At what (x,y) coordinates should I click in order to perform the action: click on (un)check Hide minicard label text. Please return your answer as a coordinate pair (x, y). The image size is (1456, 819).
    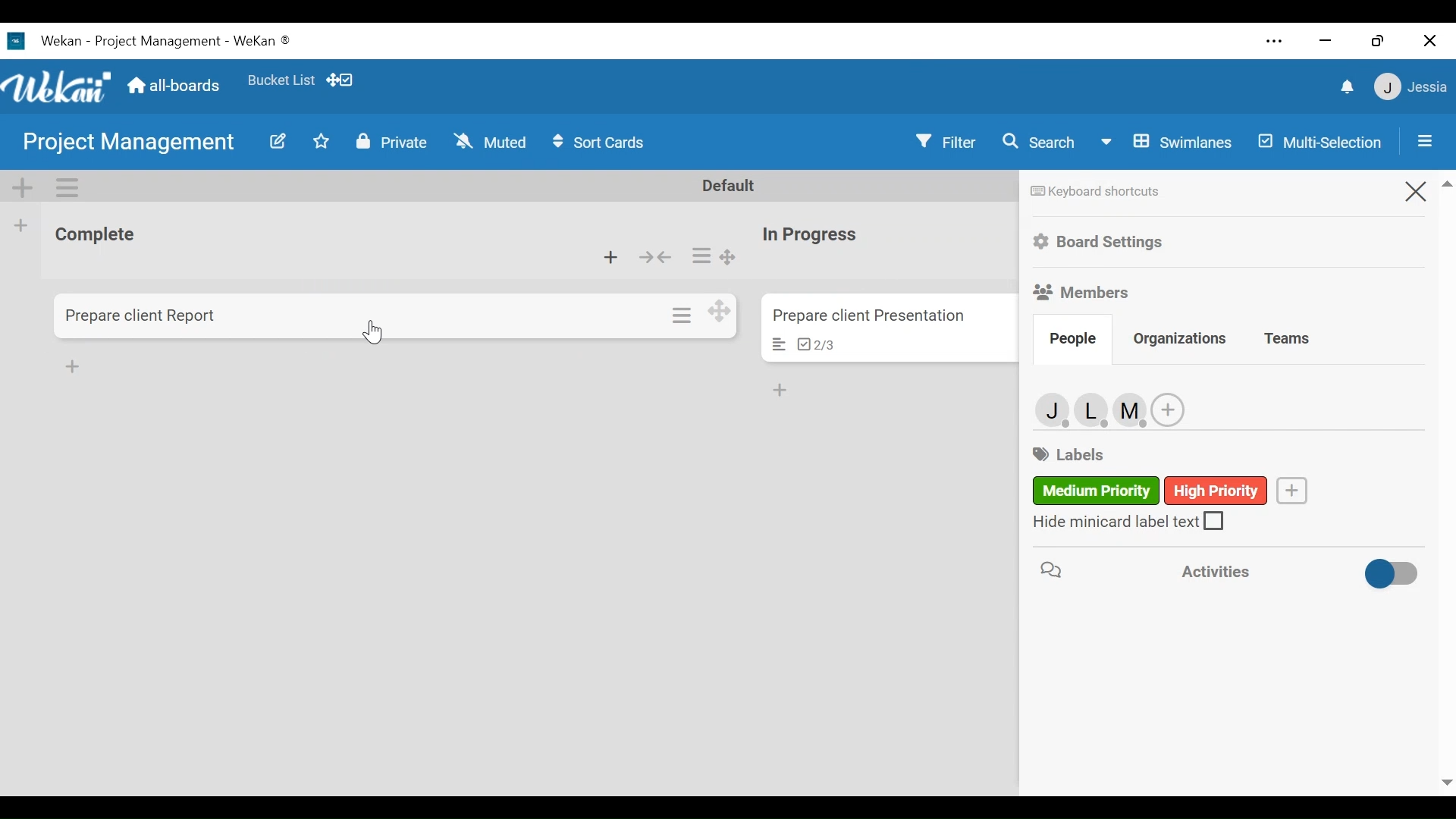
    Looking at the image, I should click on (1127, 522).